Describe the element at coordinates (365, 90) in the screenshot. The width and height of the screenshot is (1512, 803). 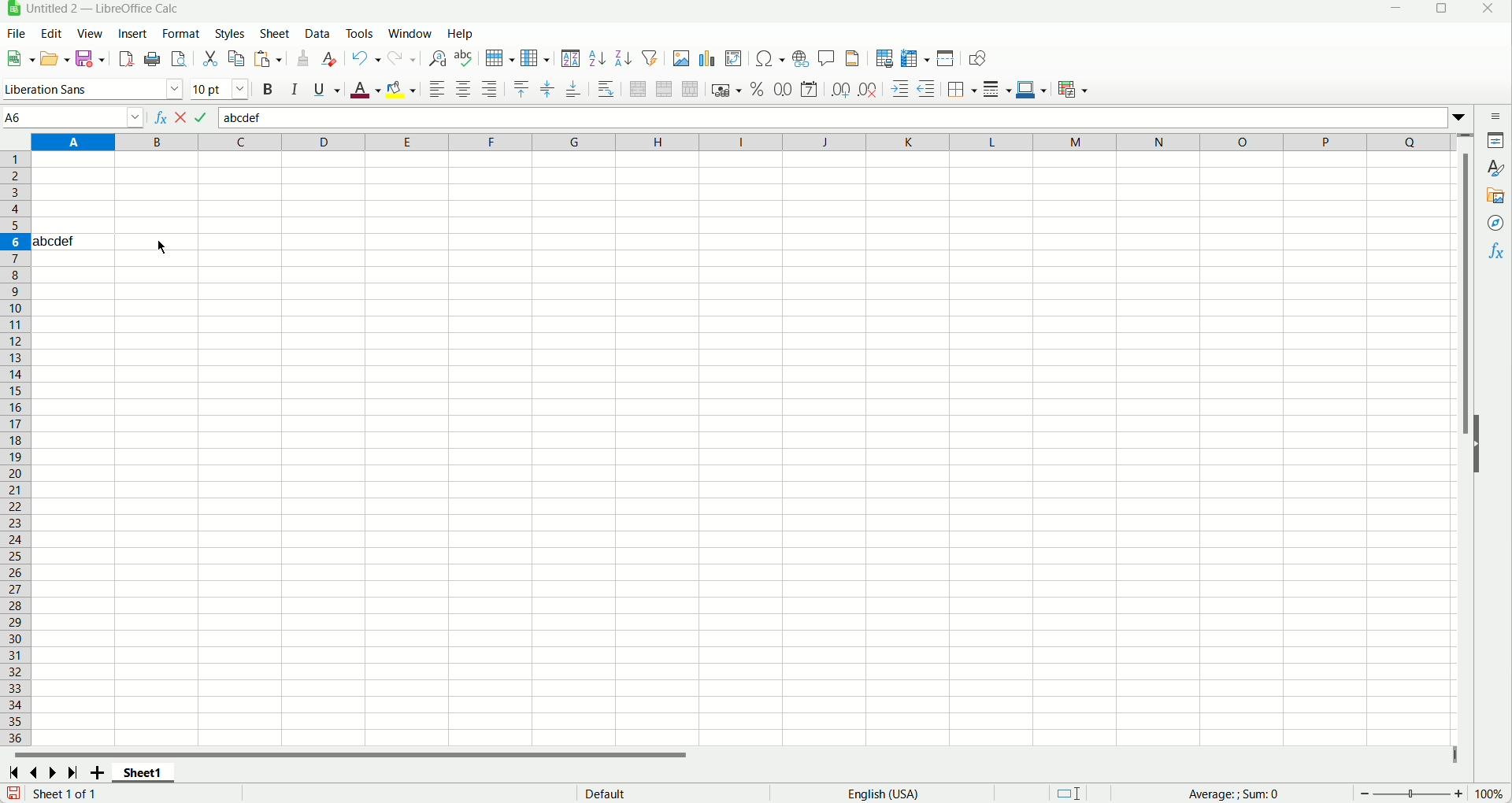
I see `font color` at that location.